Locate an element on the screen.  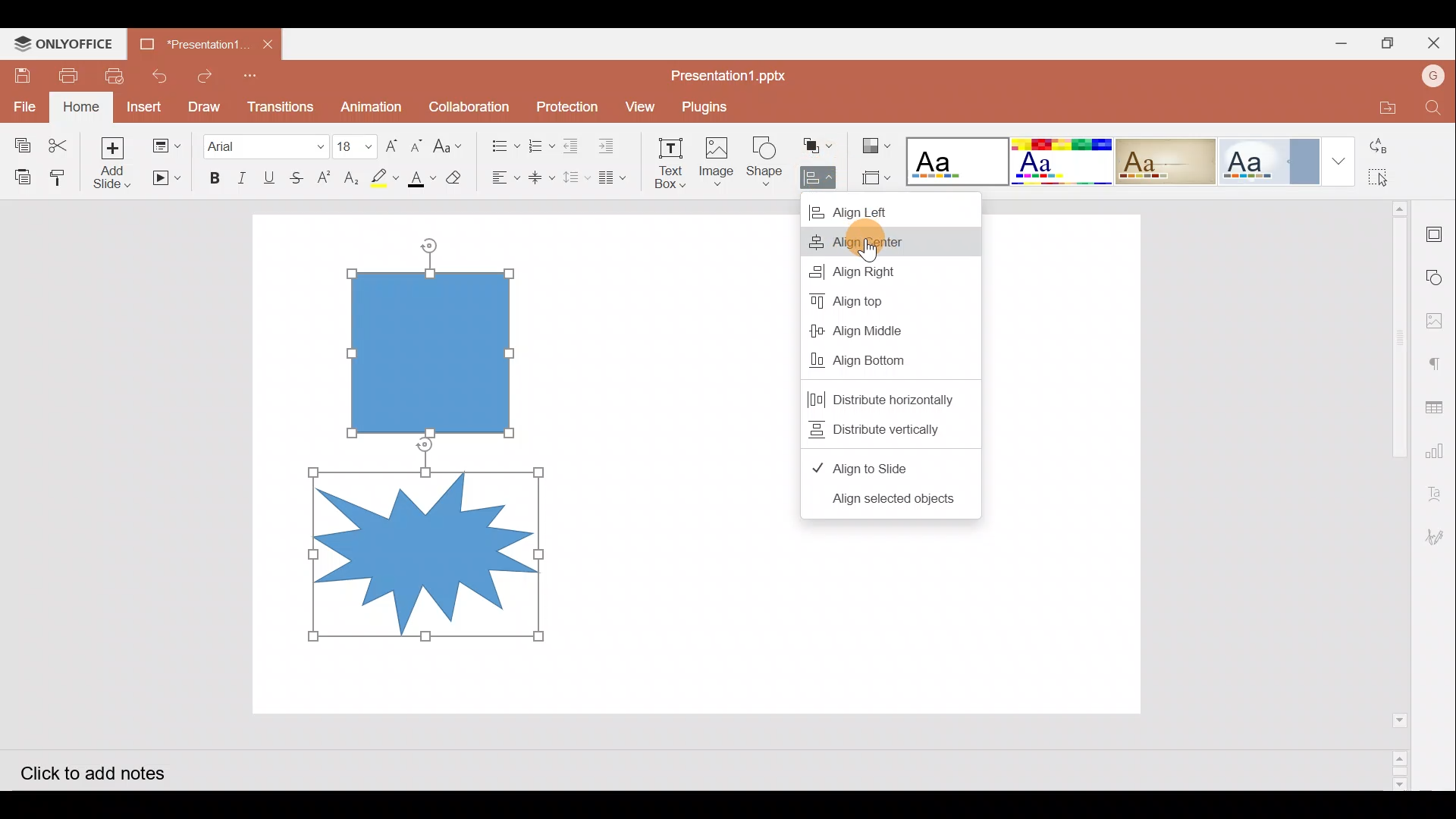
Open file location is located at coordinates (1382, 108).